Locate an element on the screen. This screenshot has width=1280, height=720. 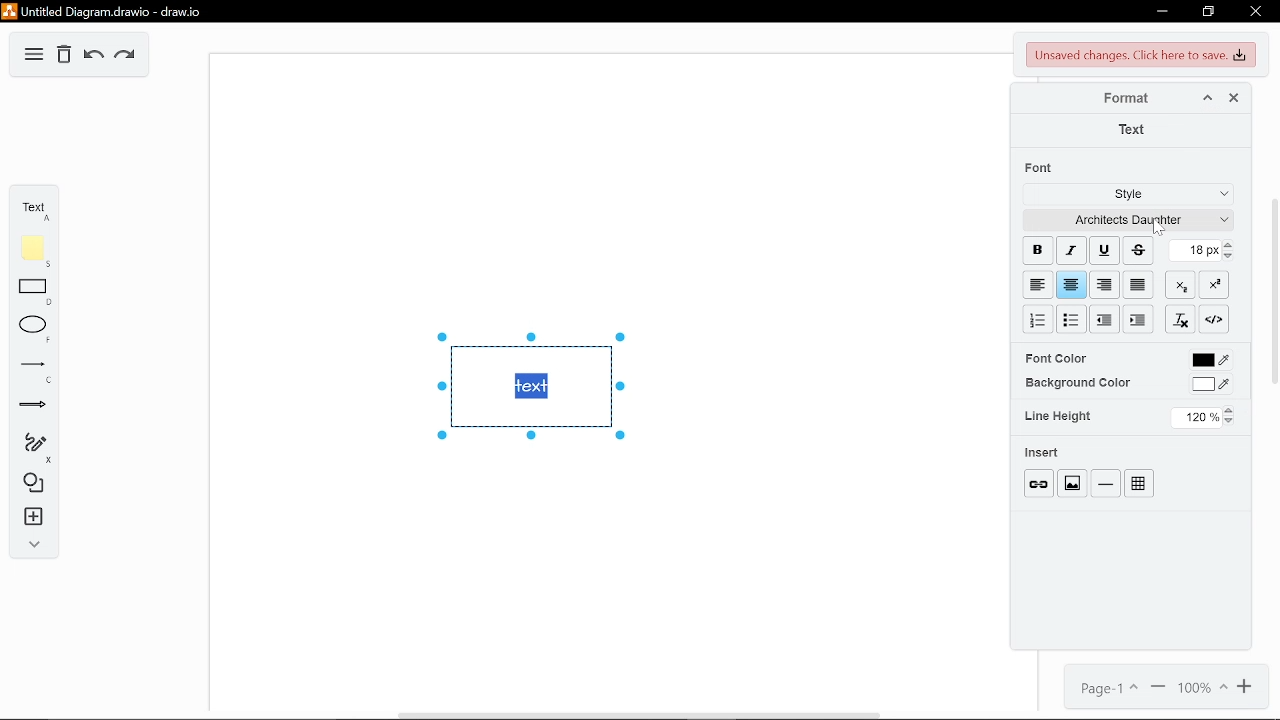
collapse is located at coordinates (30, 545).